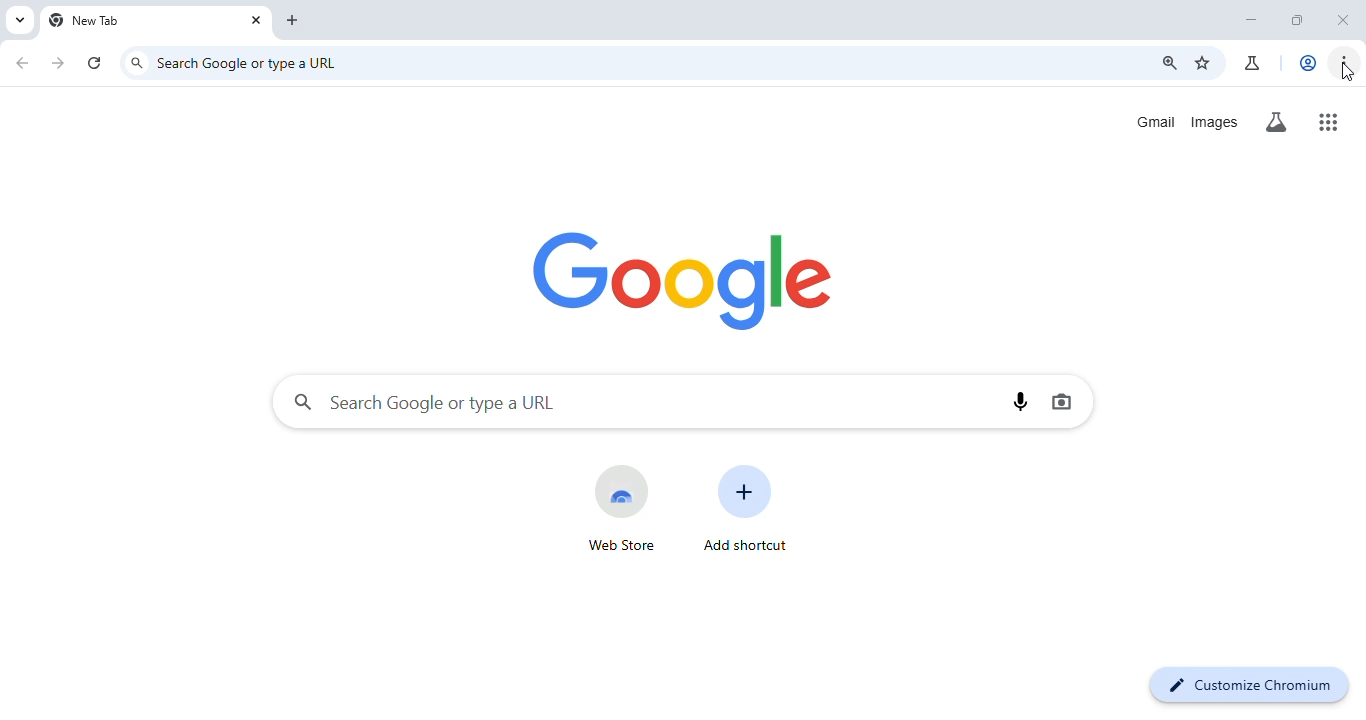 Image resolution: width=1366 pixels, height=720 pixels. Describe the element at coordinates (1254, 63) in the screenshot. I see `chrome labs` at that location.